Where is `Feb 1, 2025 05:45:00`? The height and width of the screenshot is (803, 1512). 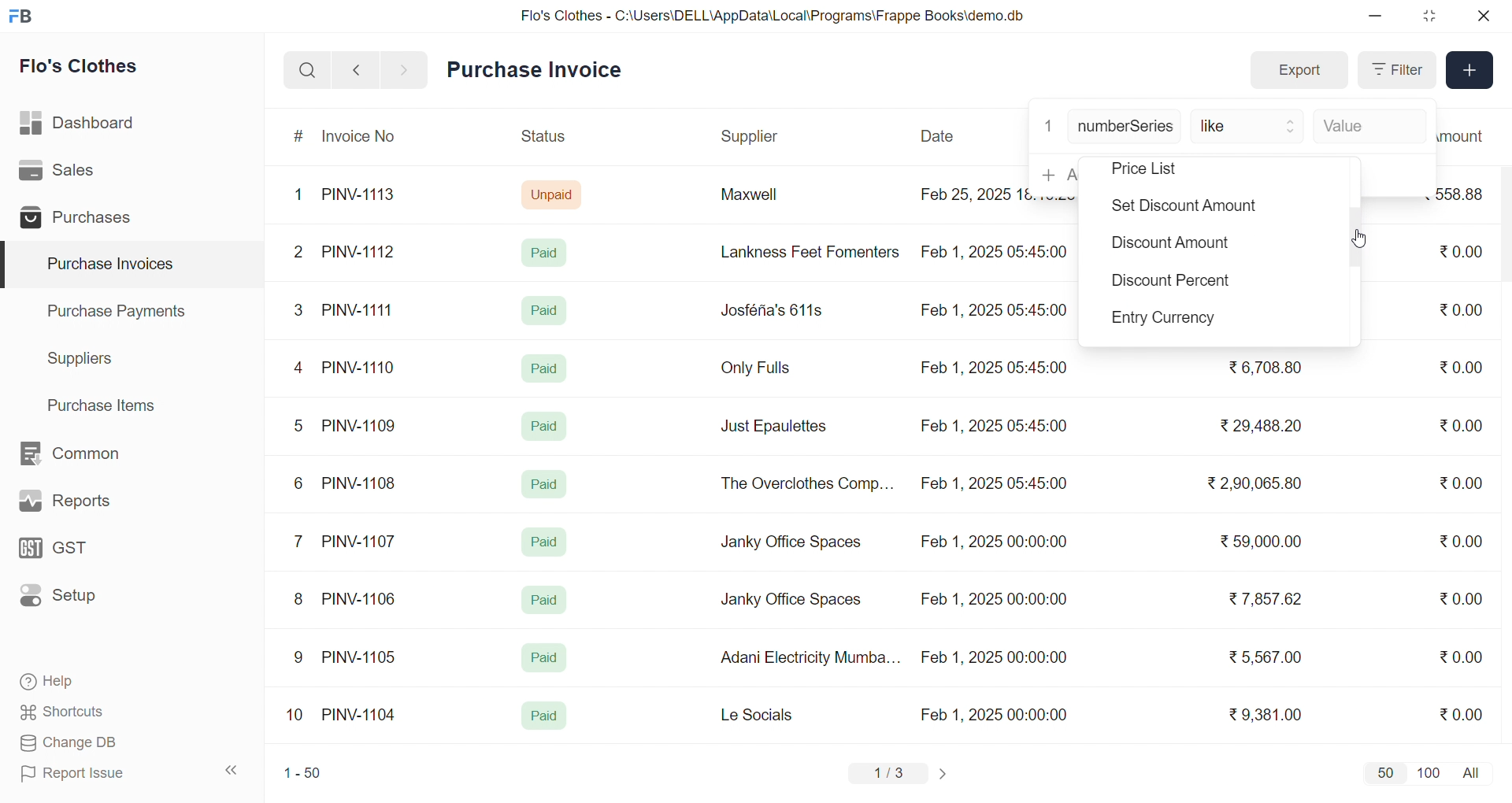
Feb 1, 2025 05:45:00 is located at coordinates (996, 485).